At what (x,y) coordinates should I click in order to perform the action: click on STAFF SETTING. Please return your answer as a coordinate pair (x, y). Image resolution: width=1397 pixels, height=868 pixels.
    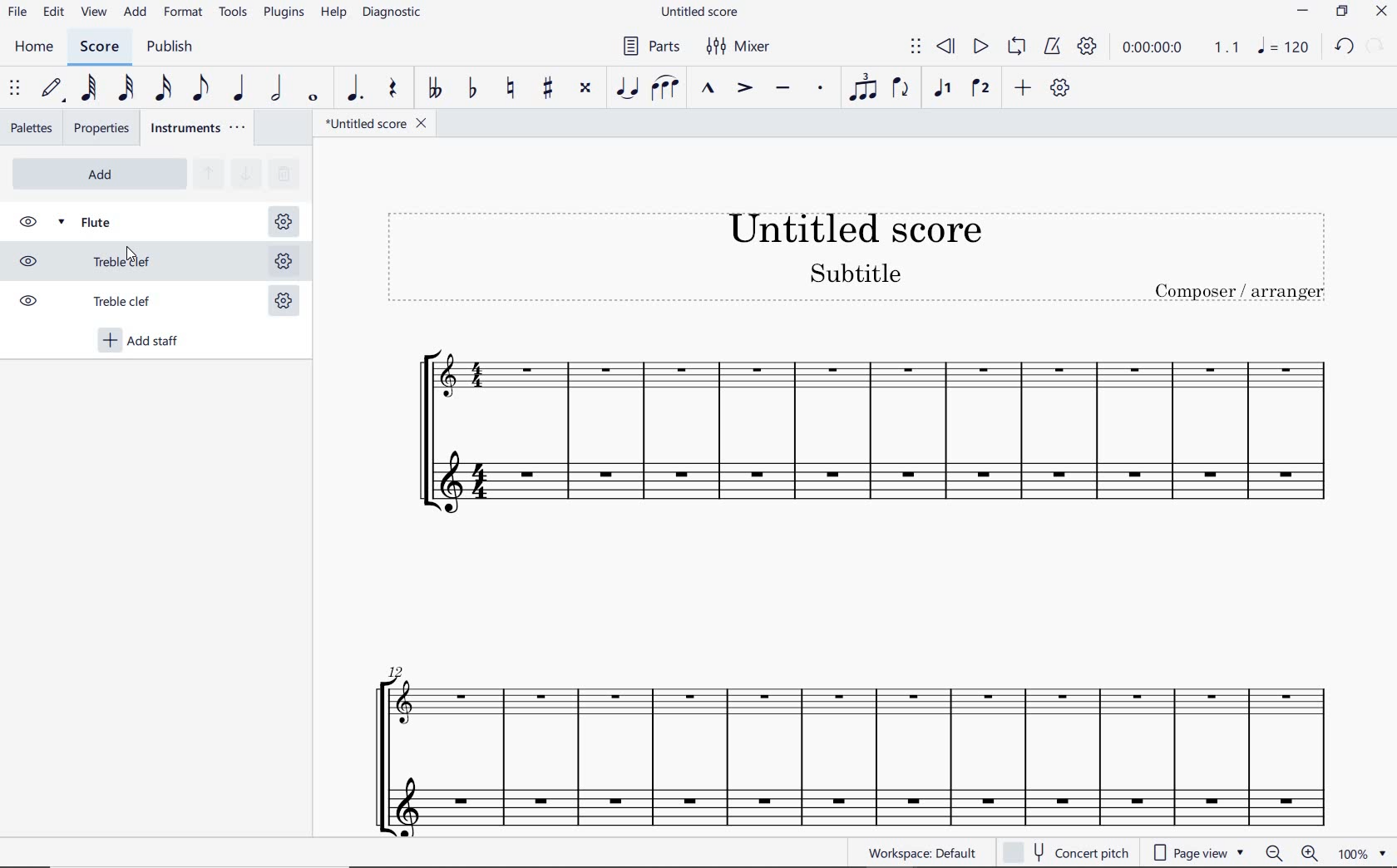
    Looking at the image, I should click on (282, 259).